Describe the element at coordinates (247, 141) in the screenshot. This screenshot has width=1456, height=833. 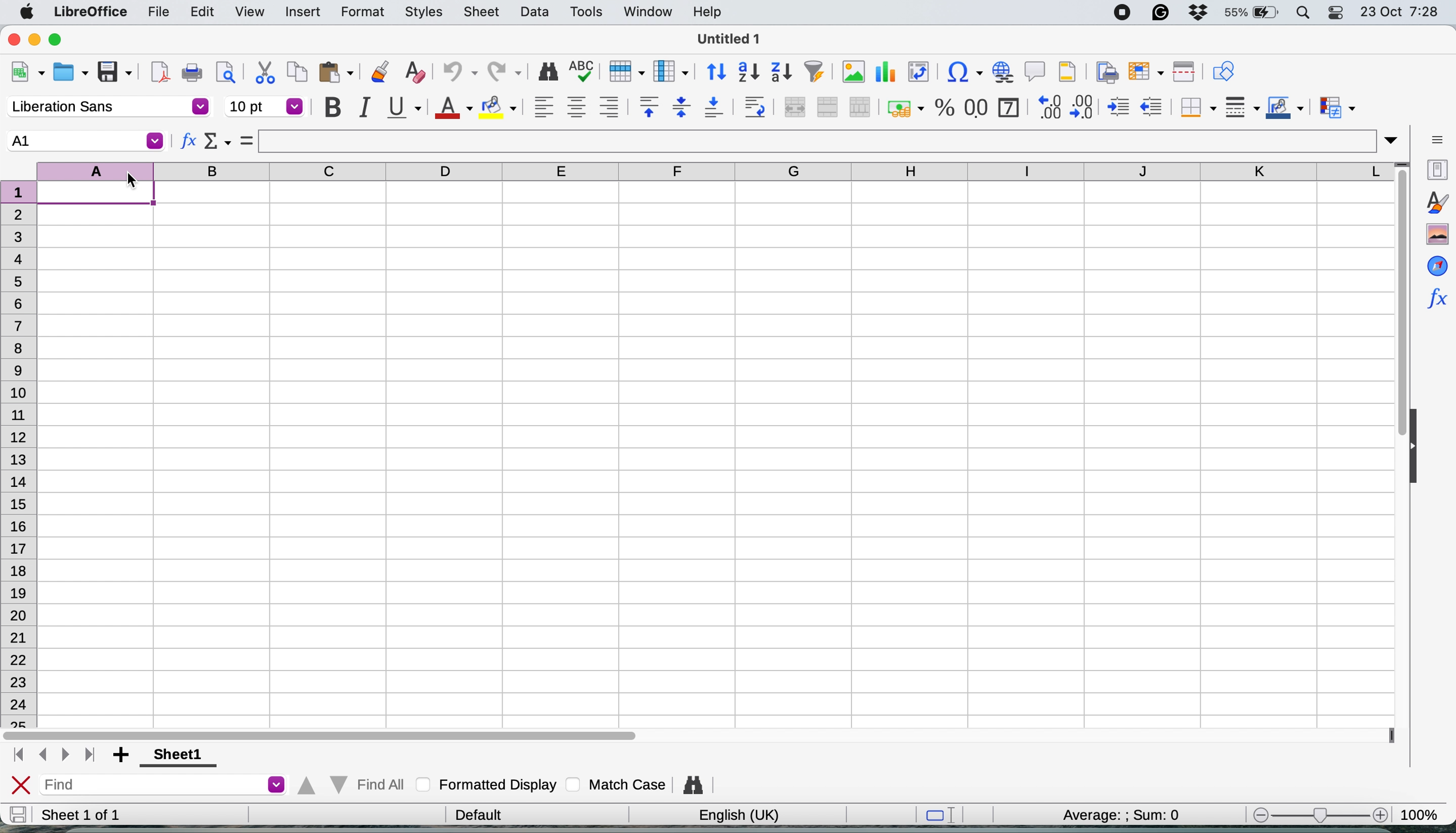
I see `select` at that location.